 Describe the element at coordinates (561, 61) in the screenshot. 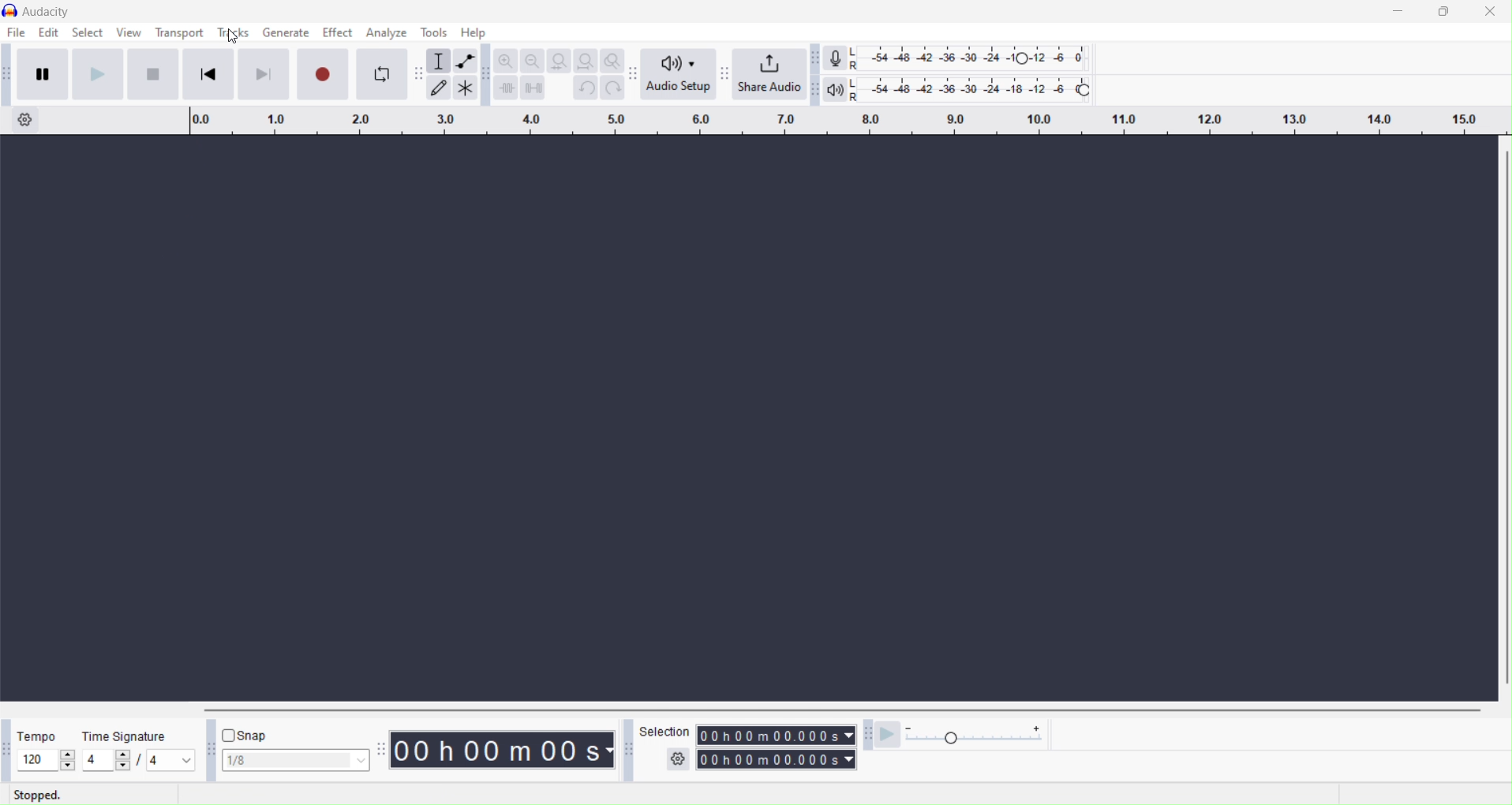

I see `Fit selection to width` at that location.